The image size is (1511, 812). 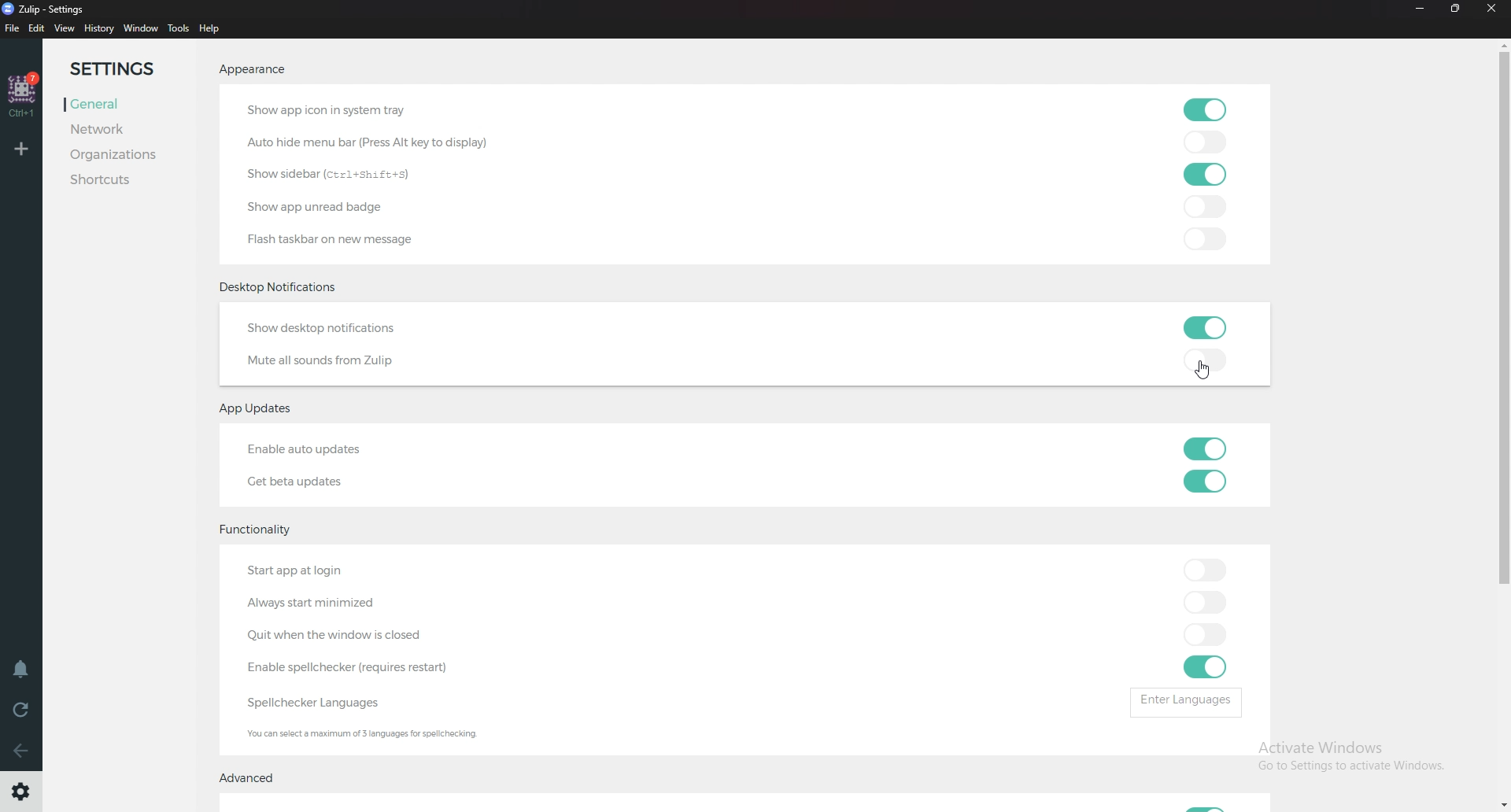 I want to click on title, so click(x=48, y=10).